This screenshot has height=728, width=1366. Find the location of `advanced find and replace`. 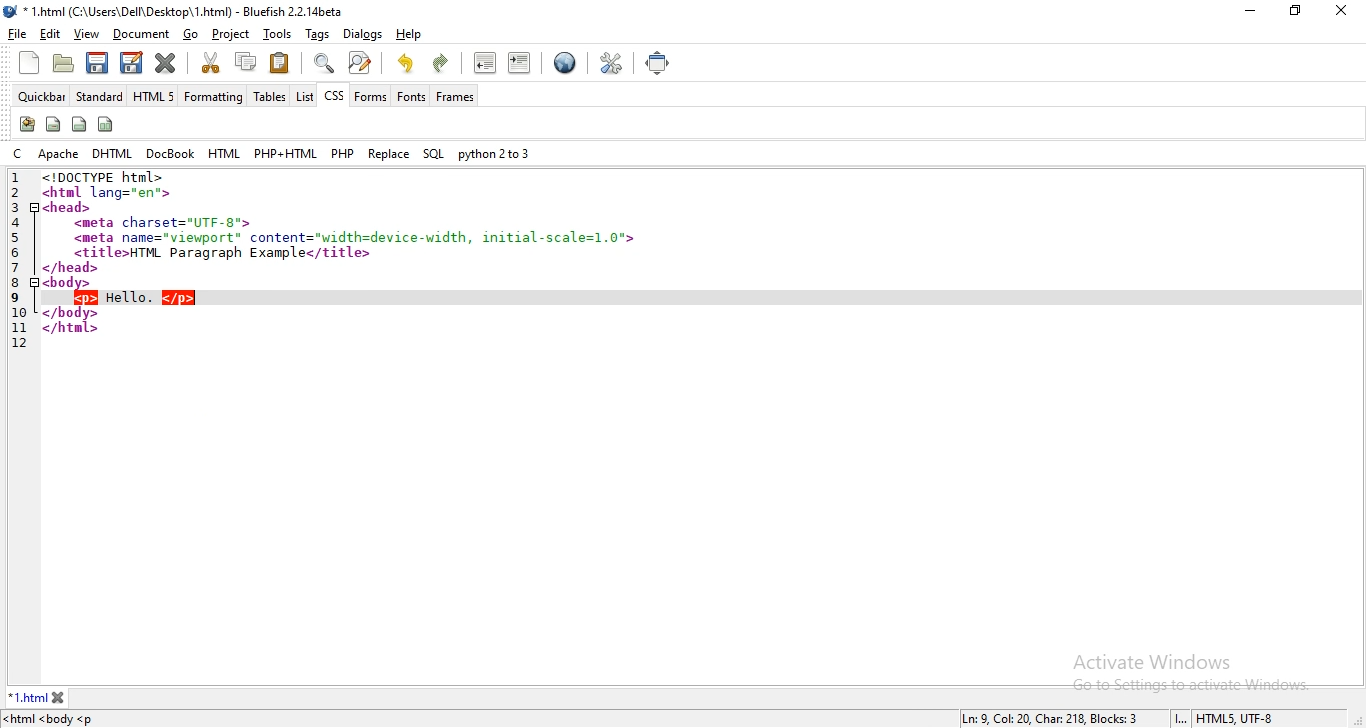

advanced find and replace is located at coordinates (362, 63).